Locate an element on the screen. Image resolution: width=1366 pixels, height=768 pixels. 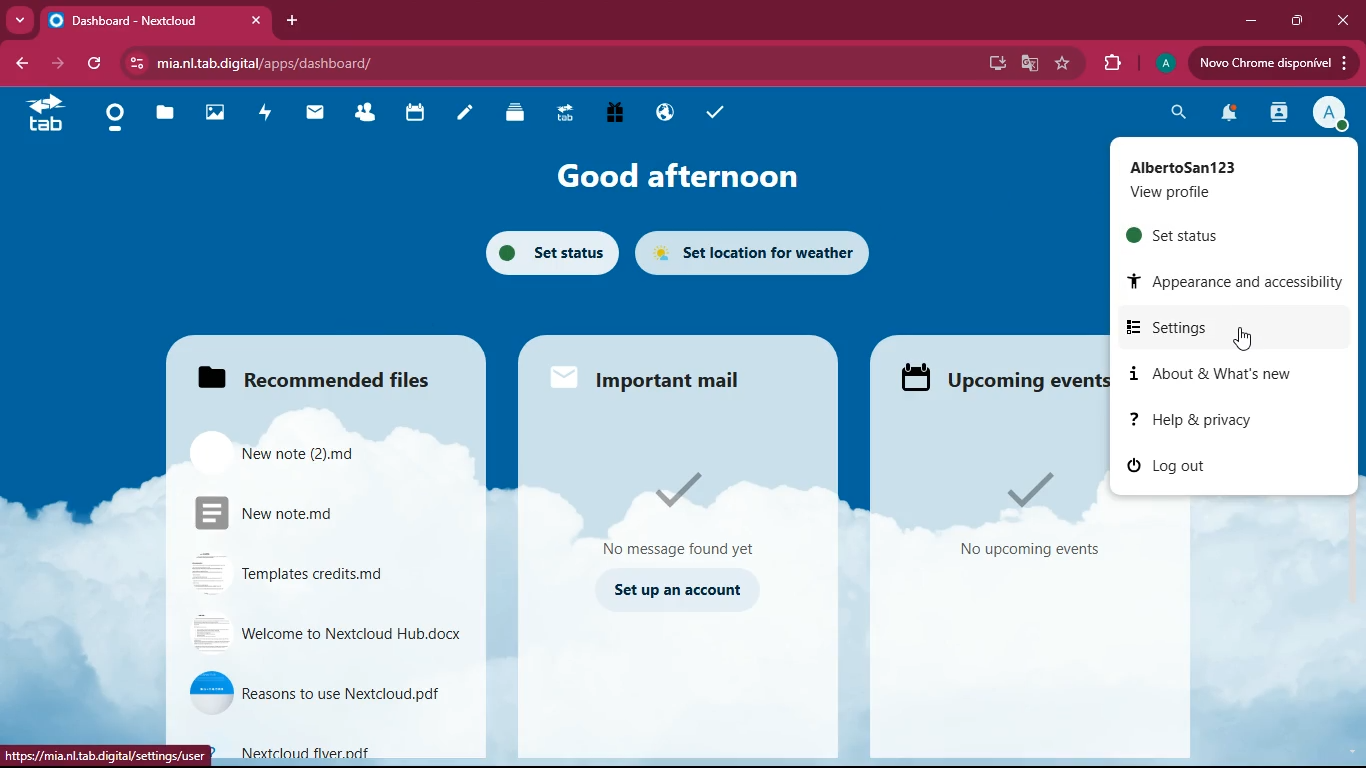
about is located at coordinates (1235, 373).